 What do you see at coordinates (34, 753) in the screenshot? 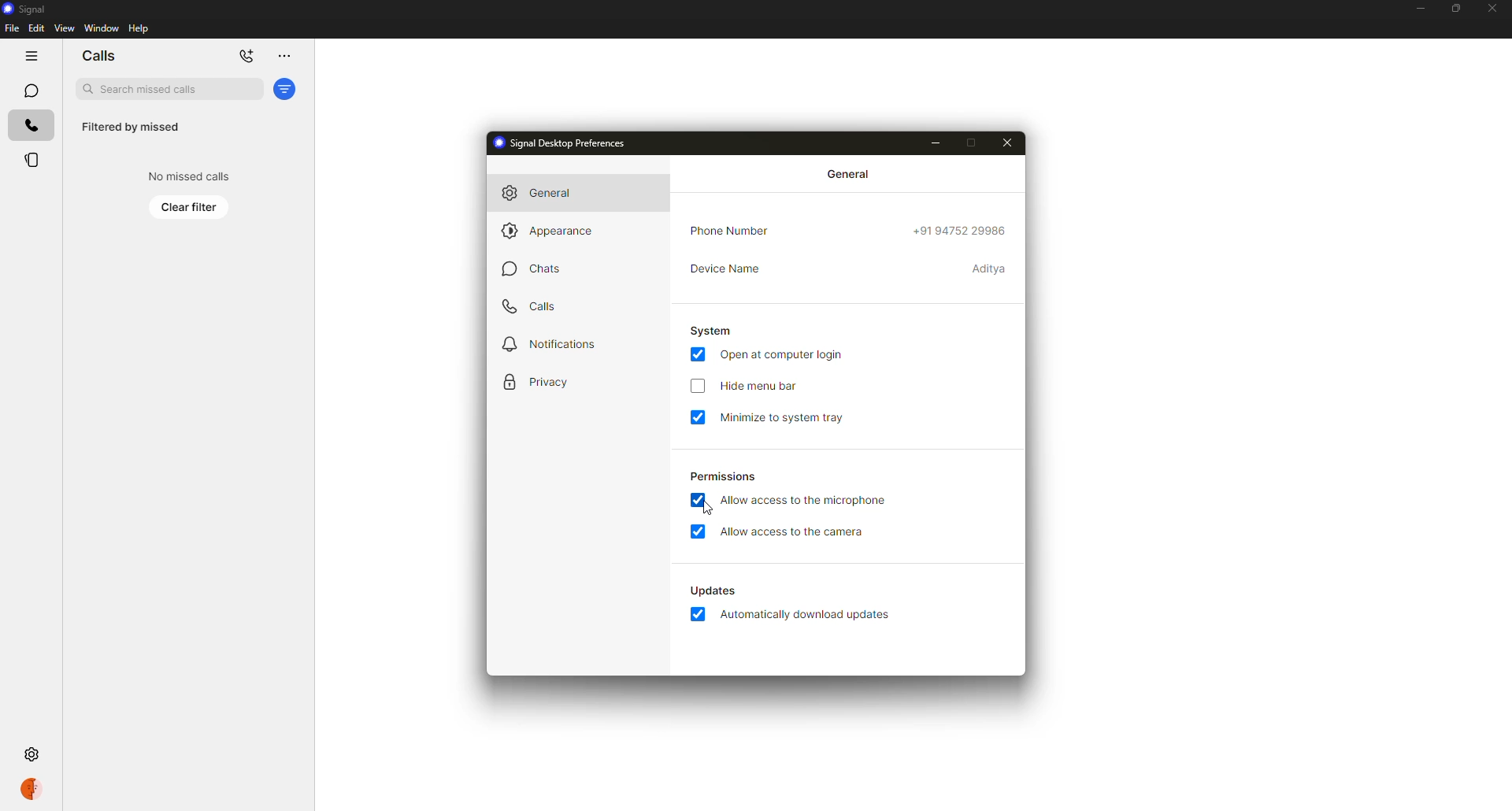
I see `settings` at bounding box center [34, 753].